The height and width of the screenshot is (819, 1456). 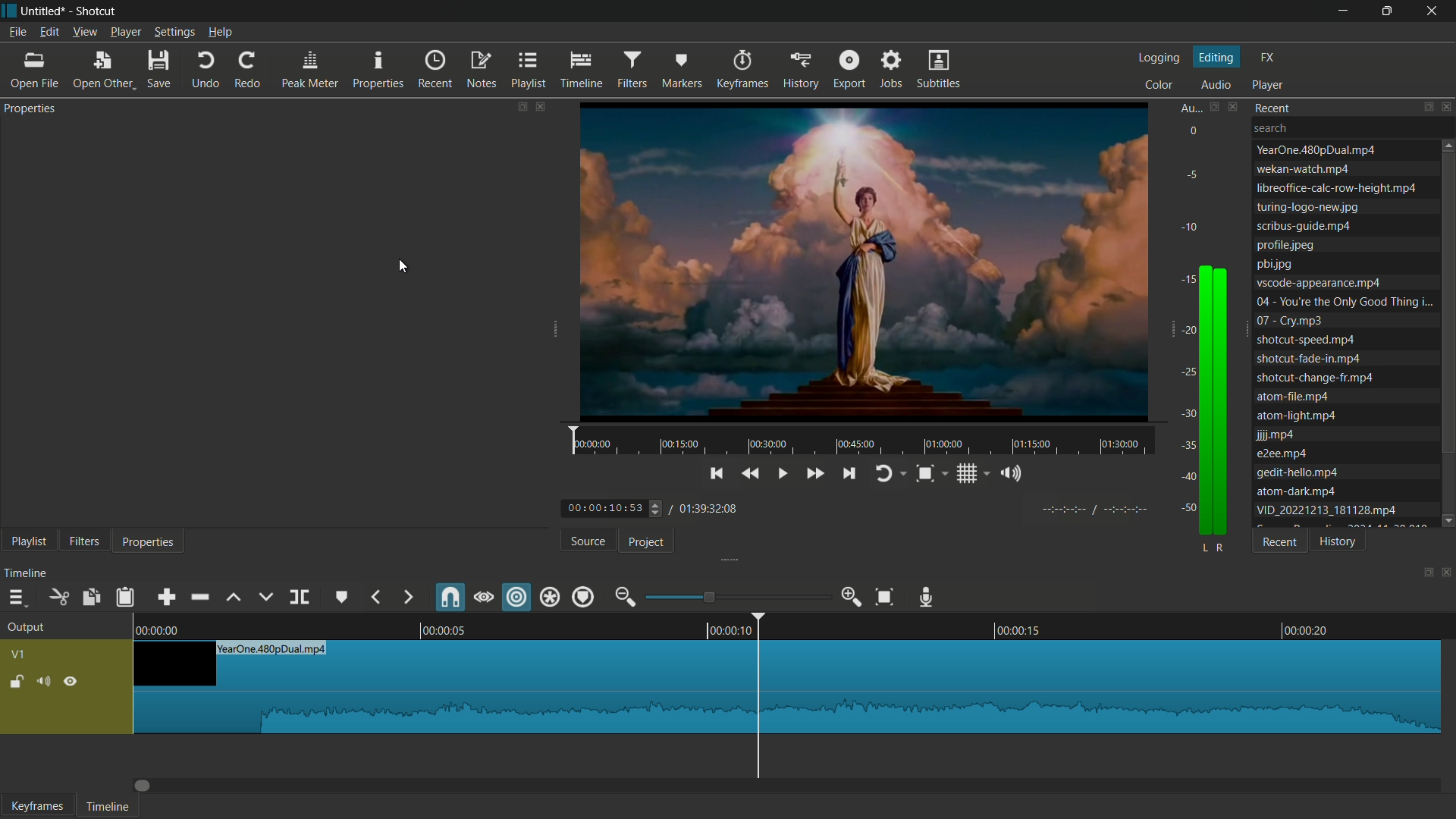 I want to click on subtitles, so click(x=939, y=71).